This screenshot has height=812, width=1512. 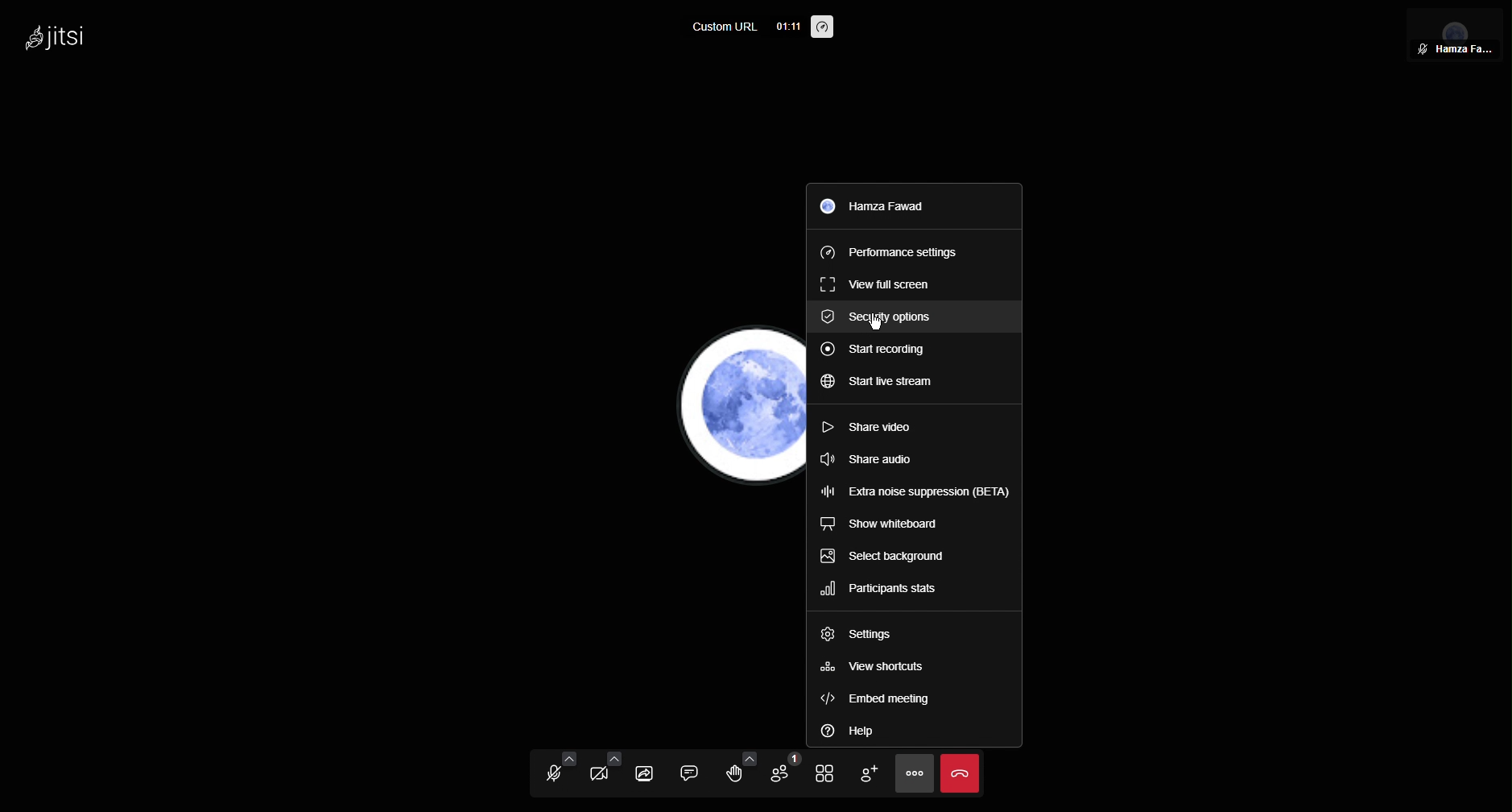 I want to click on Help, so click(x=846, y=729).